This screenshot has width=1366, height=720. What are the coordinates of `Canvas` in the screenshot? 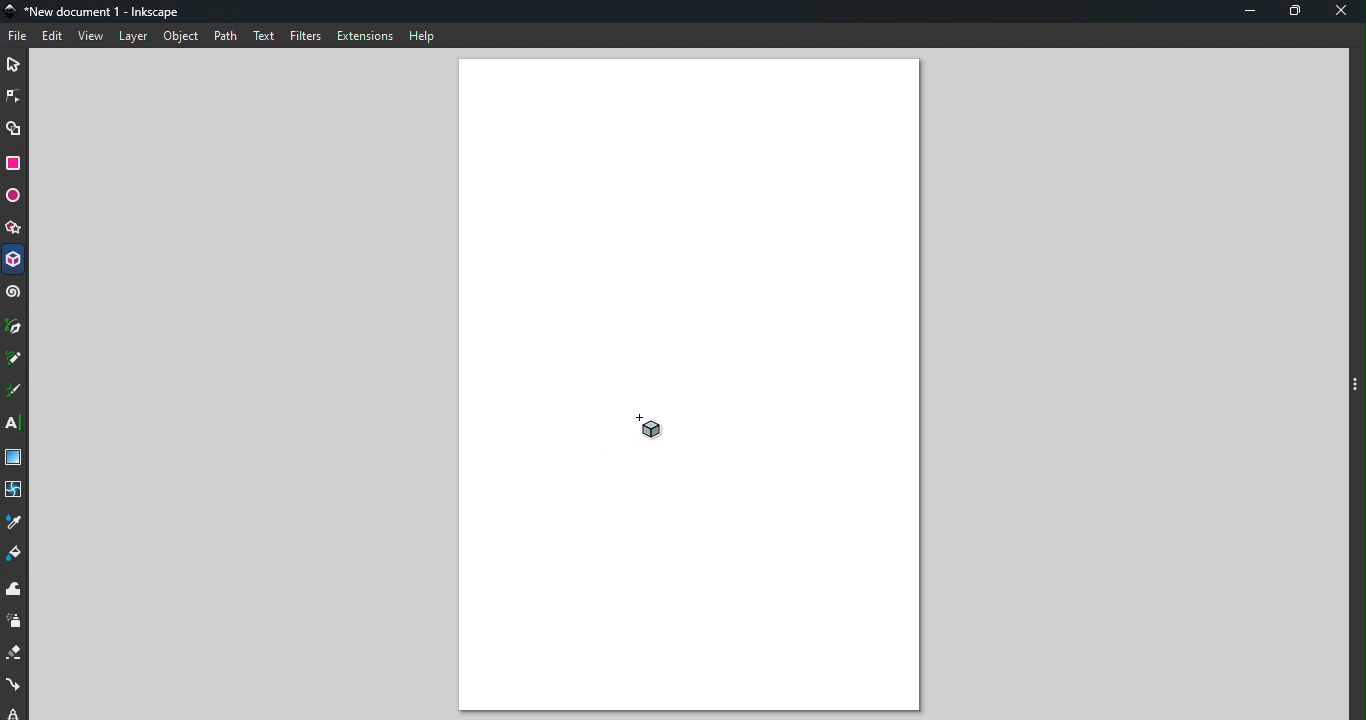 It's located at (690, 388).